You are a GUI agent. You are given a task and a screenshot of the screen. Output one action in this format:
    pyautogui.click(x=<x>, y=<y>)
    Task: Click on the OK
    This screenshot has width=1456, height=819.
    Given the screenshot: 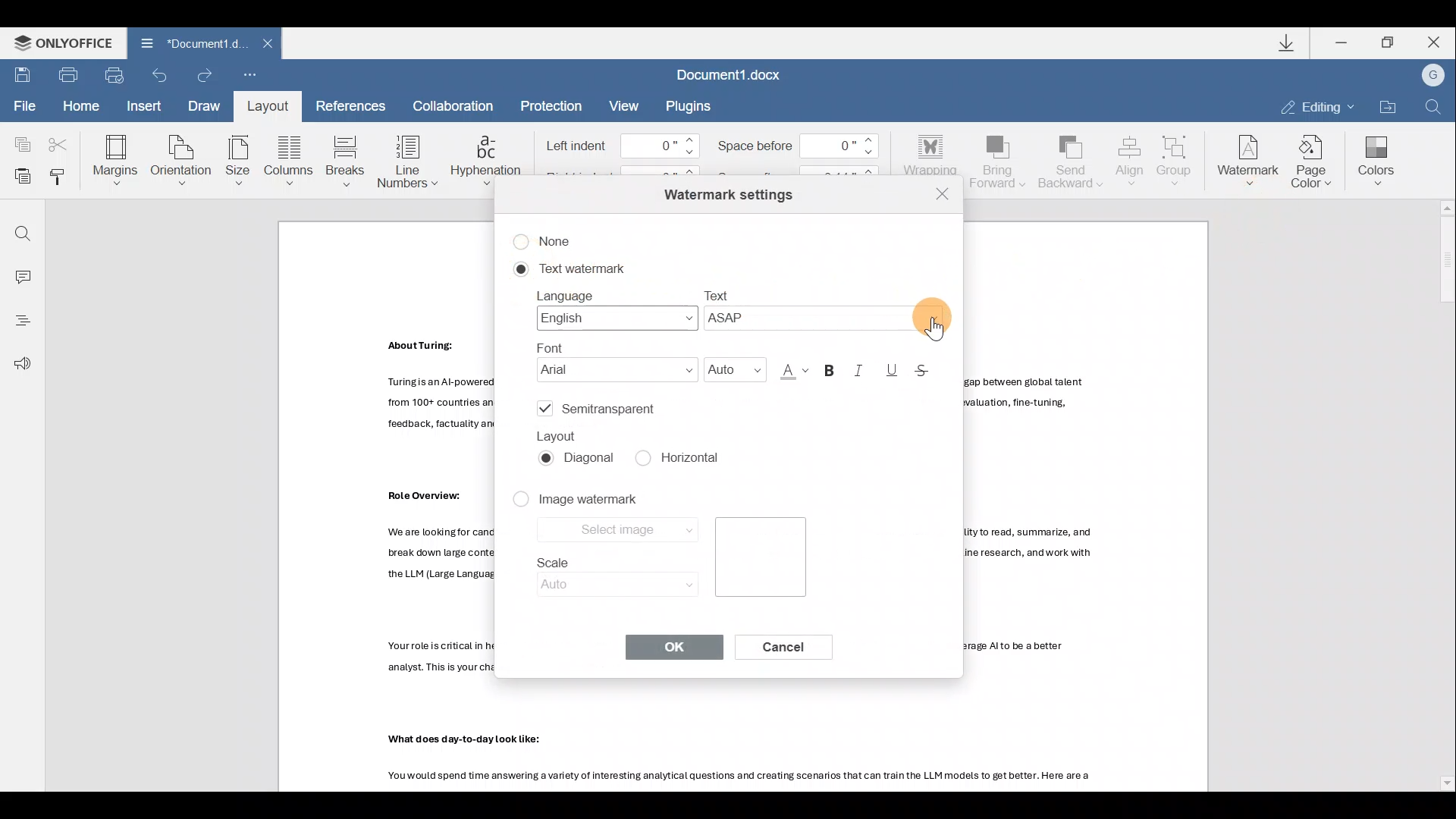 What is the action you would take?
    pyautogui.click(x=673, y=647)
    